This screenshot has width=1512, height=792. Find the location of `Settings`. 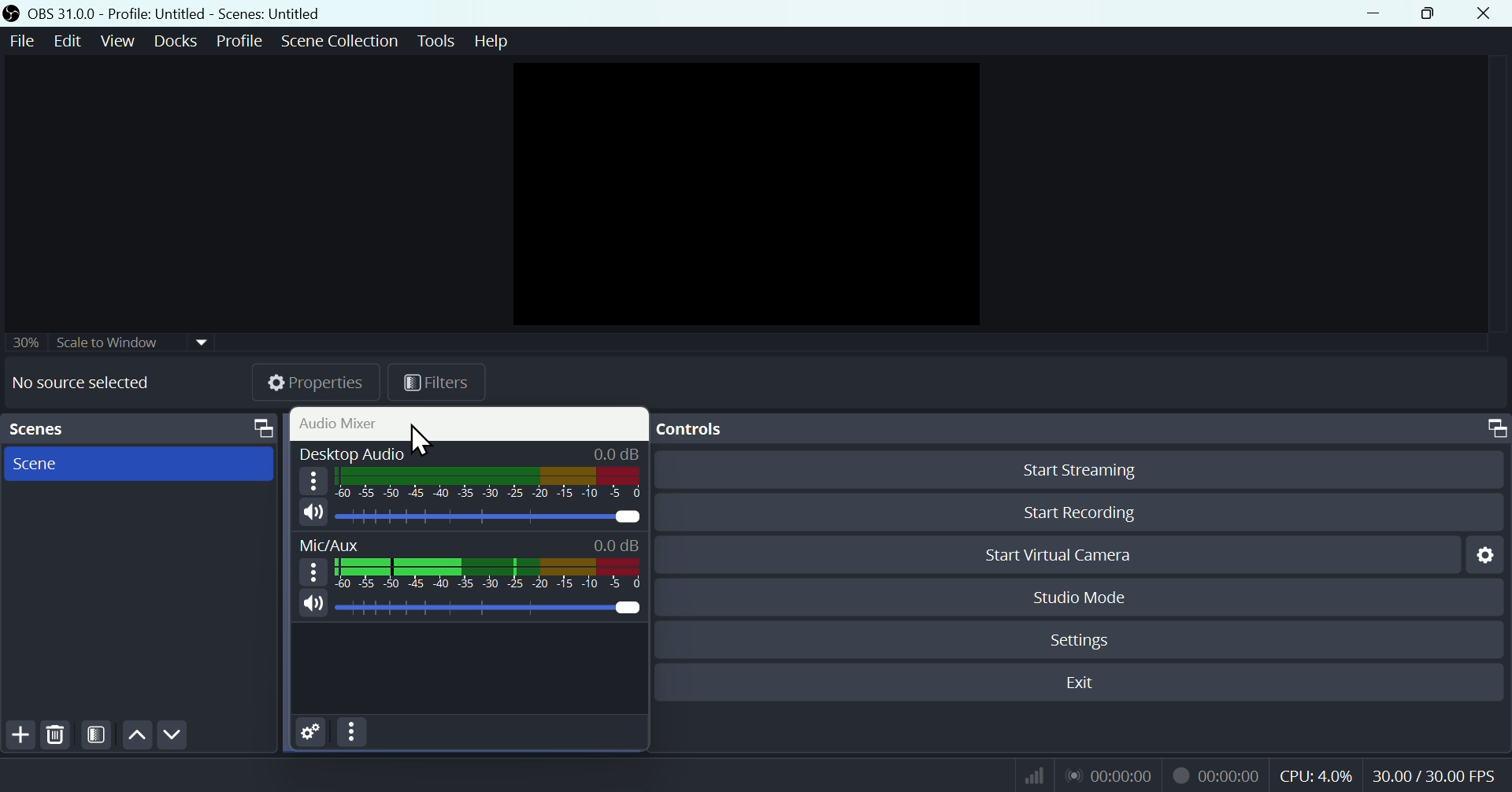

Settings is located at coordinates (1086, 638).